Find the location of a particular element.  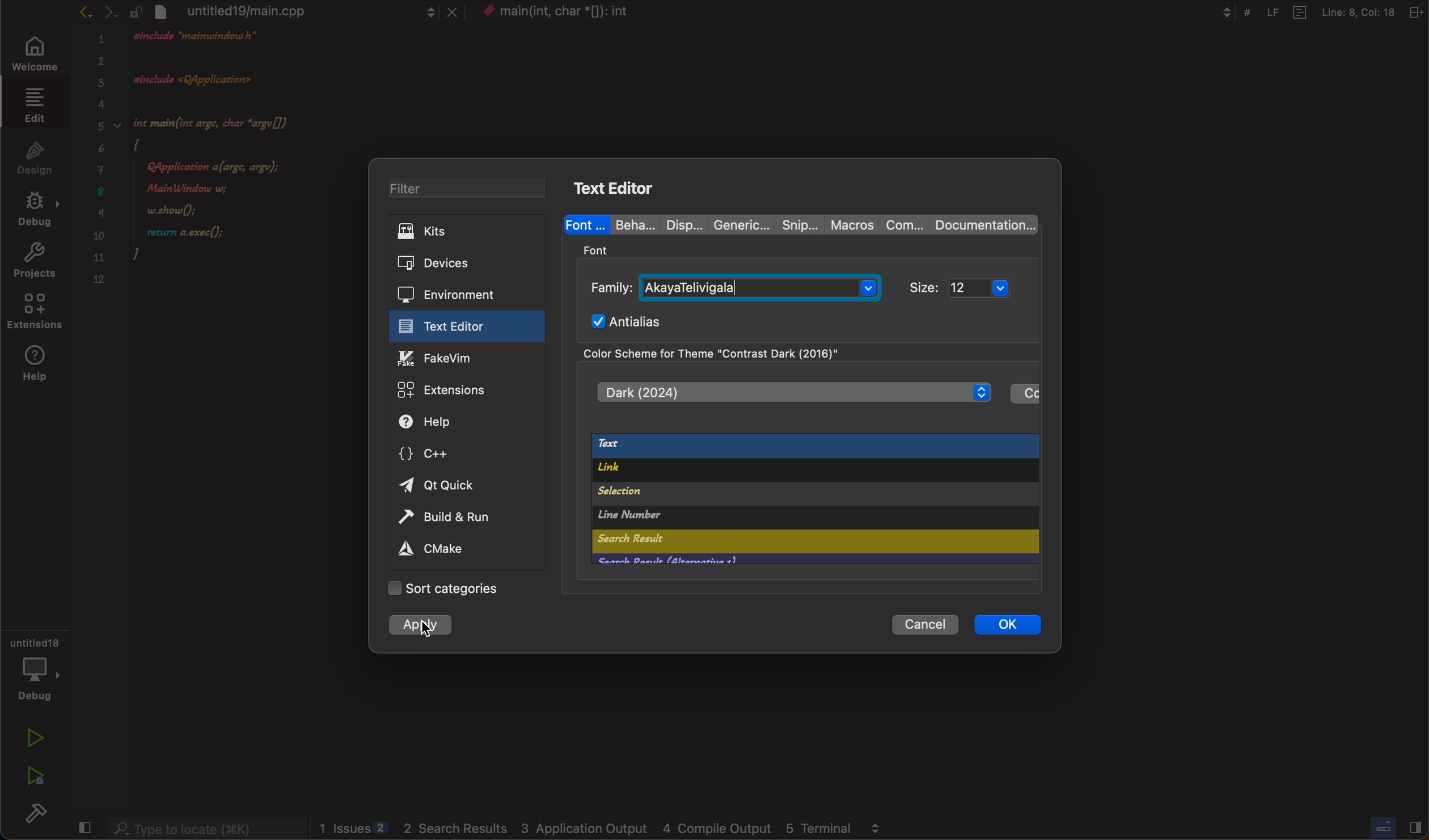

environment is located at coordinates (457, 293).